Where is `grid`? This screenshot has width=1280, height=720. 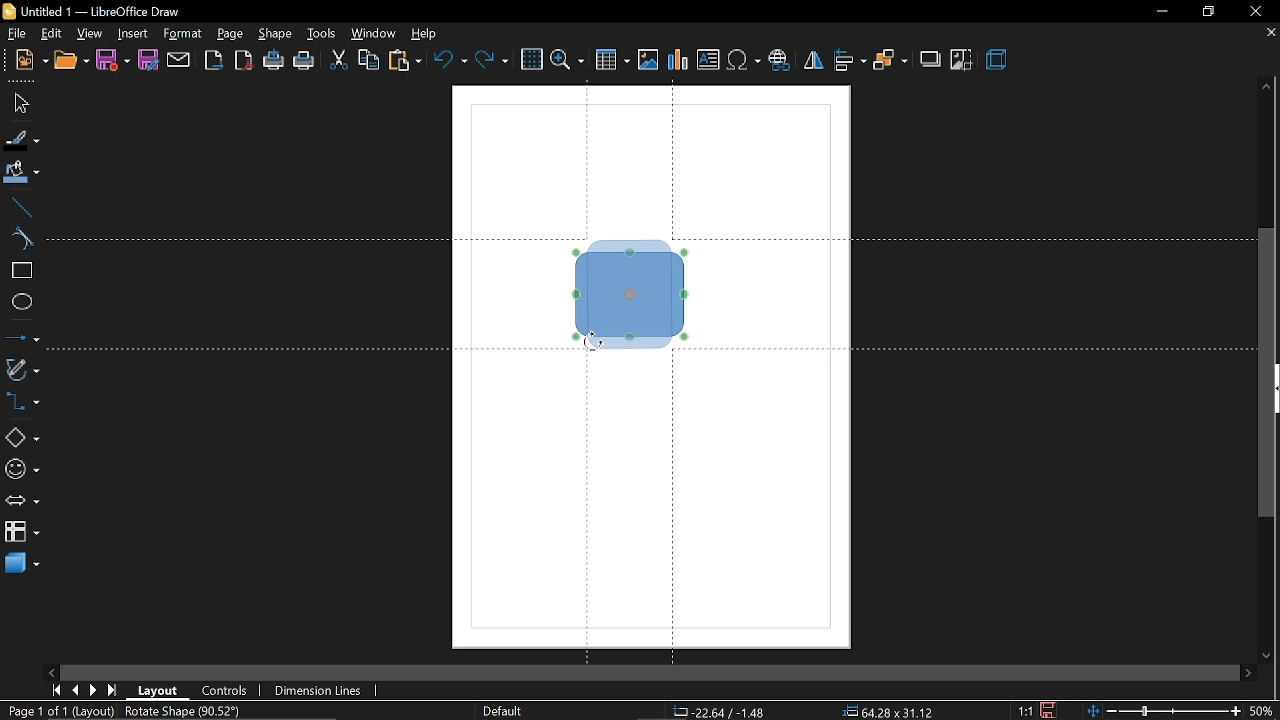
grid is located at coordinates (532, 59).